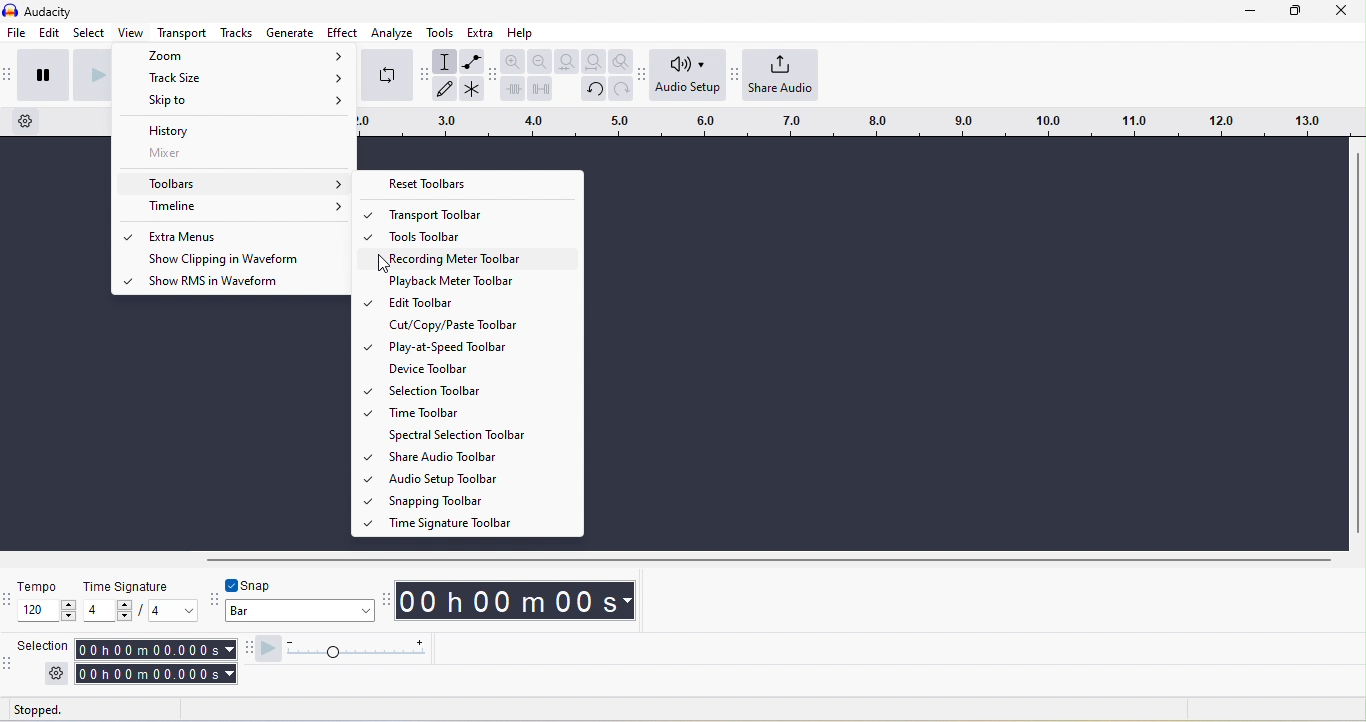  I want to click on Selection toolbar, so click(481, 390).